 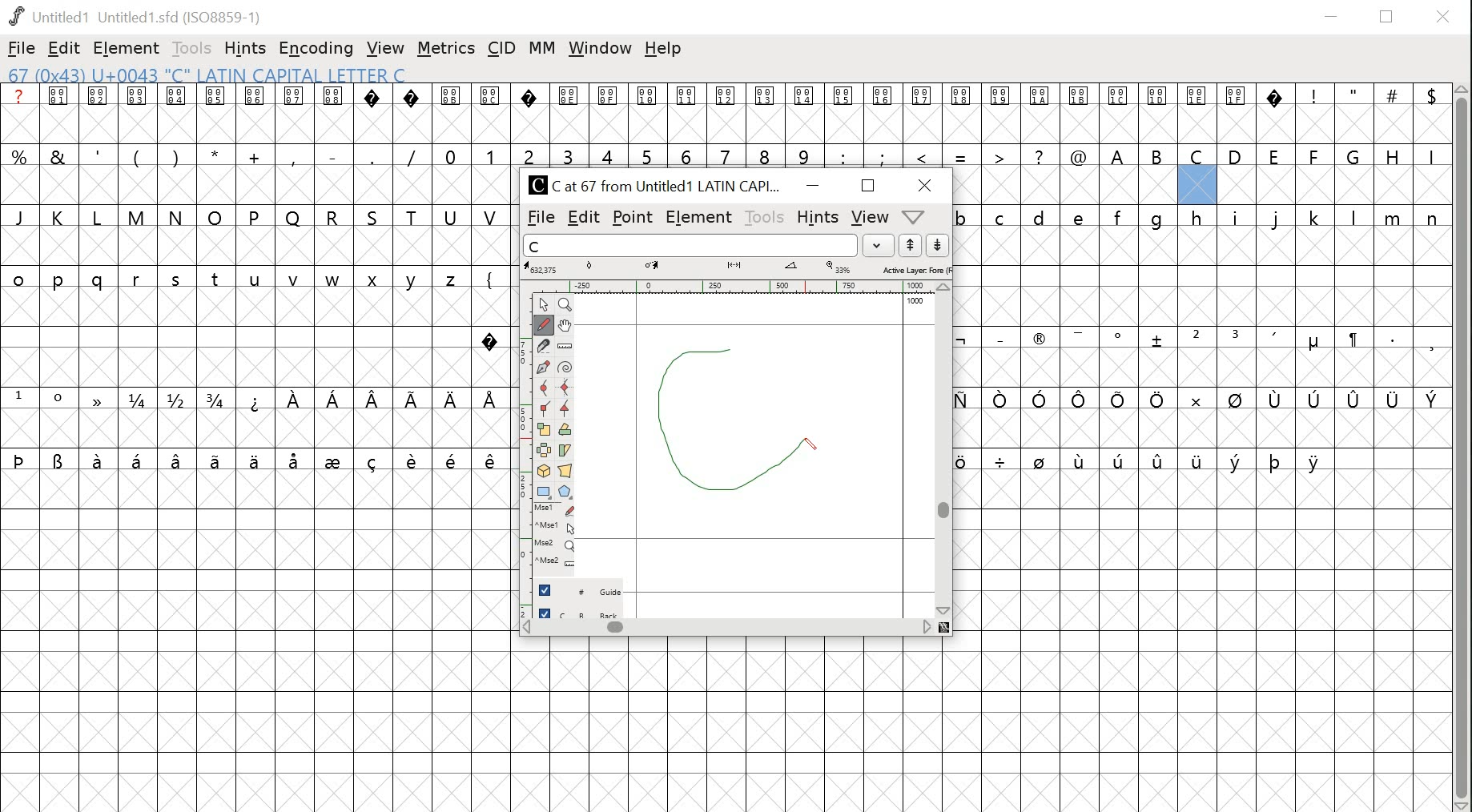 What do you see at coordinates (526, 450) in the screenshot?
I see `ruler` at bounding box center [526, 450].